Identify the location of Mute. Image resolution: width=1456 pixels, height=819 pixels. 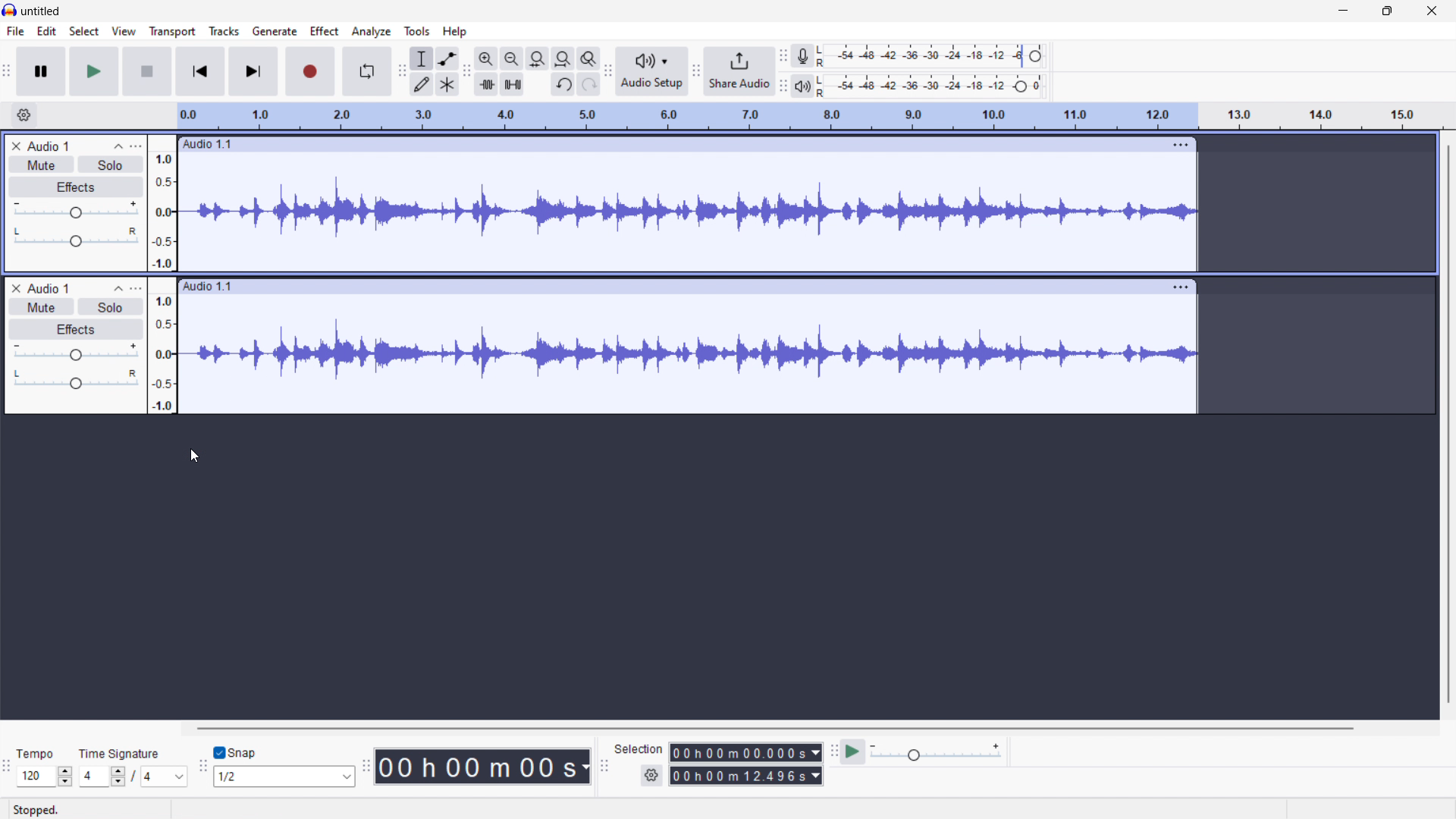
(38, 306).